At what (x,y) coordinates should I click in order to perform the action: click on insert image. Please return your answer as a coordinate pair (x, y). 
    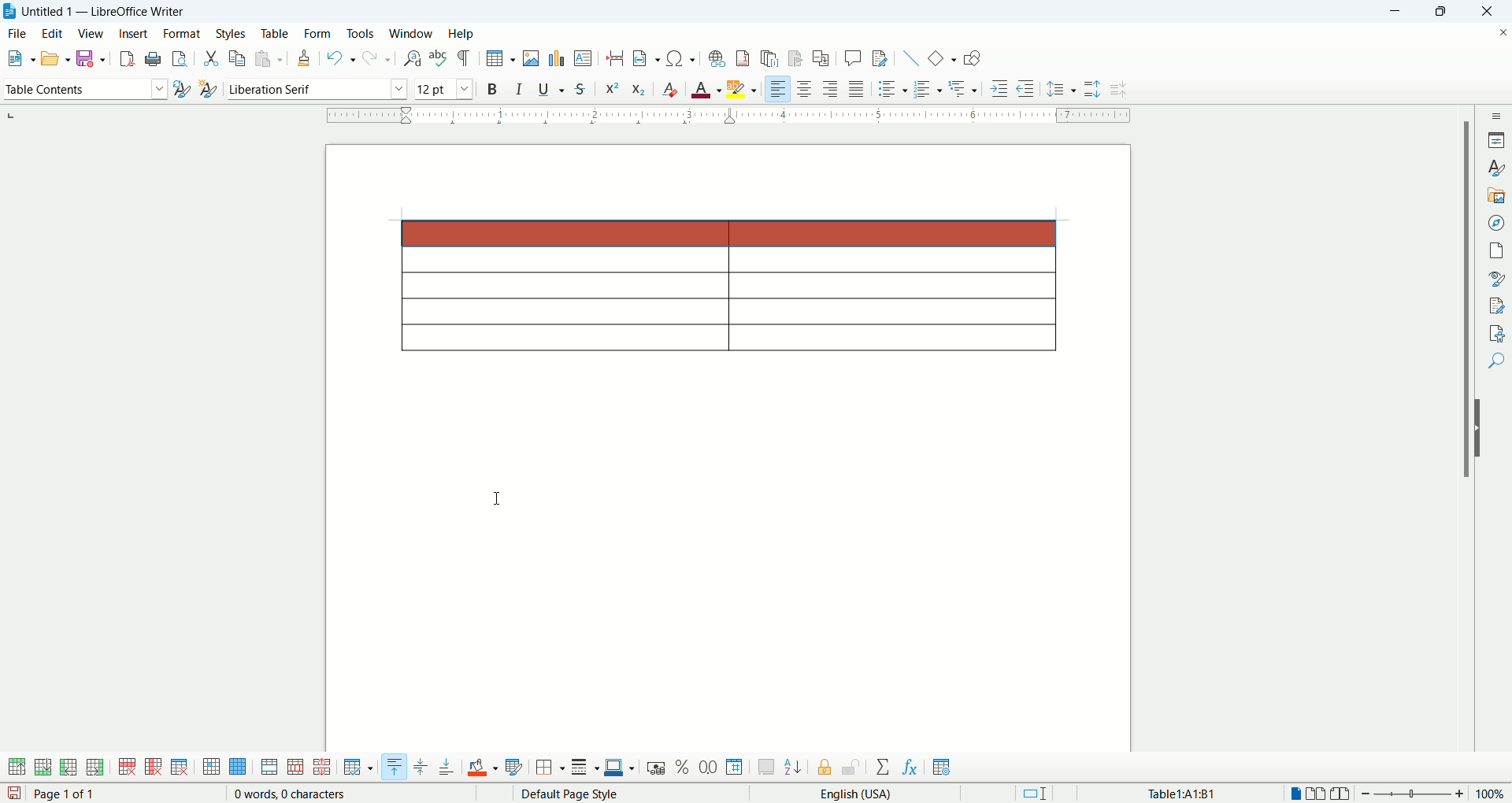
    Looking at the image, I should click on (532, 58).